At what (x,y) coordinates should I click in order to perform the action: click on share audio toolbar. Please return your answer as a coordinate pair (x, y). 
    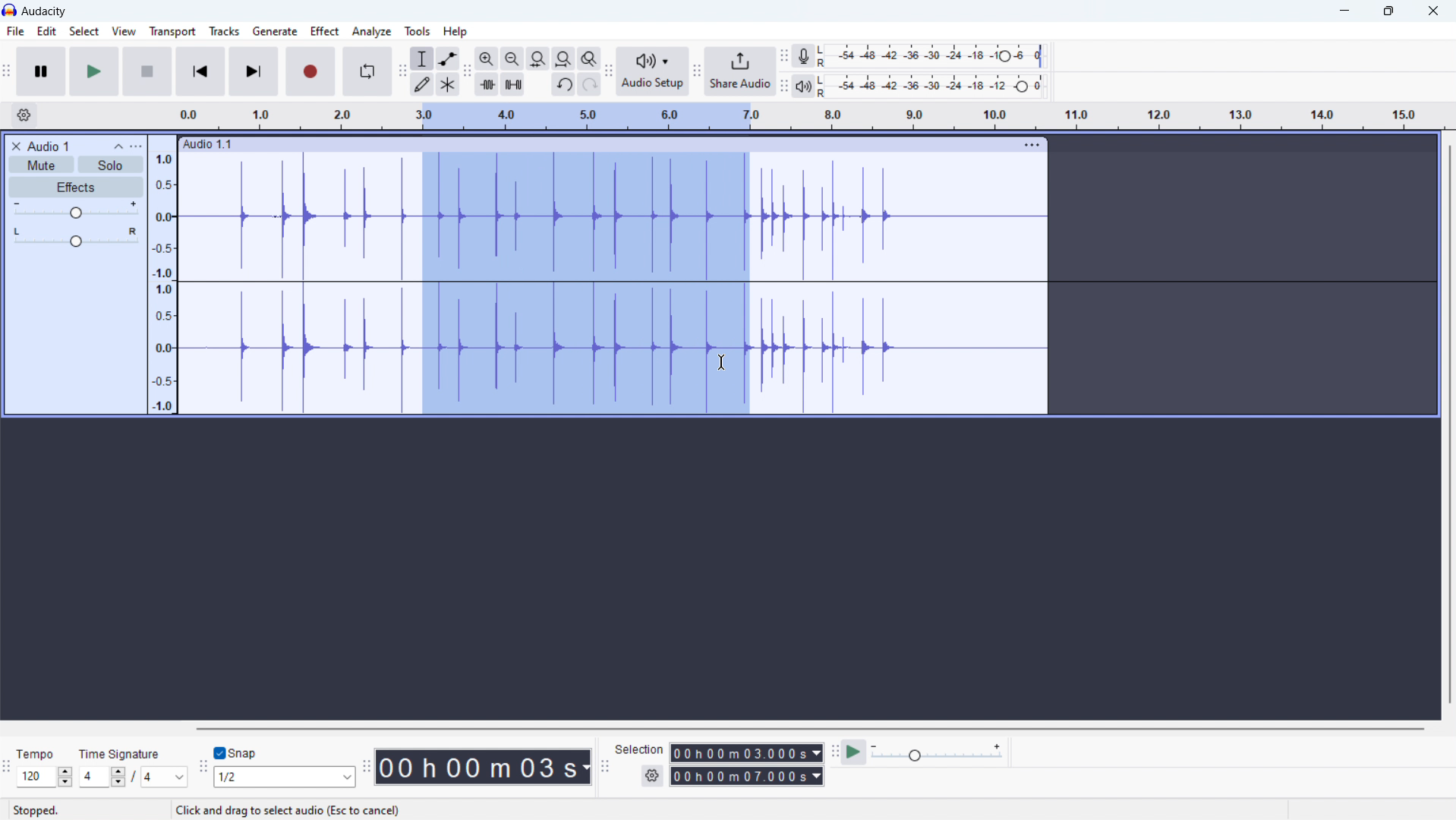
    Looking at the image, I should click on (697, 71).